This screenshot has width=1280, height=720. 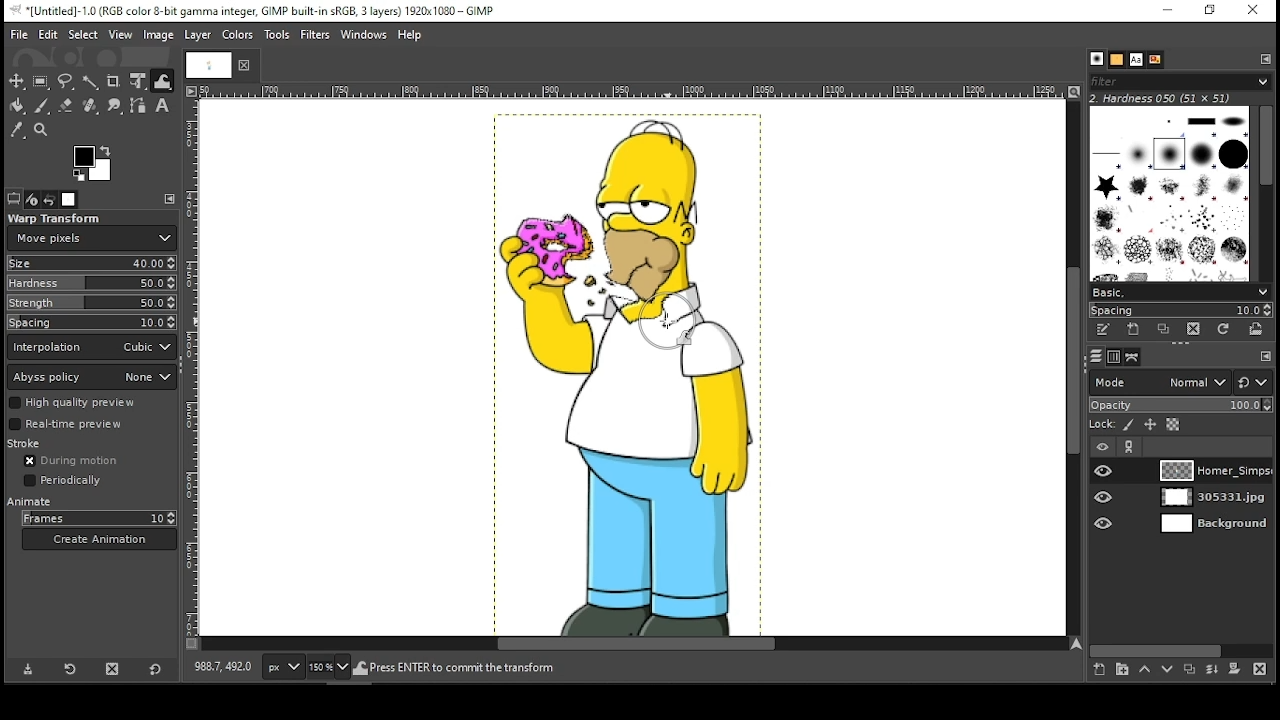 I want to click on text tool, so click(x=162, y=105).